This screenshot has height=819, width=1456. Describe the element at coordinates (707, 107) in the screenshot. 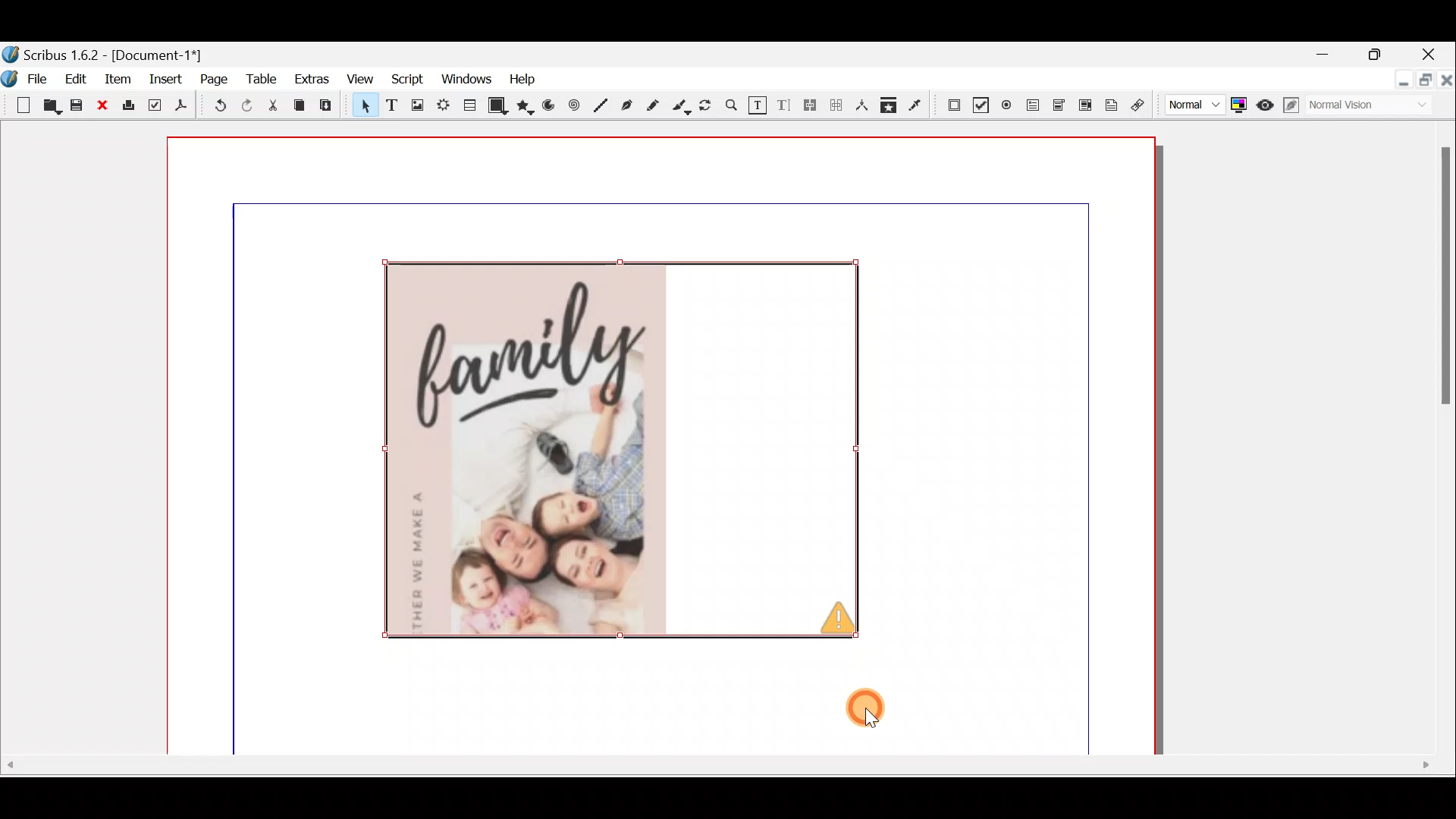

I see `Rotate item` at that location.